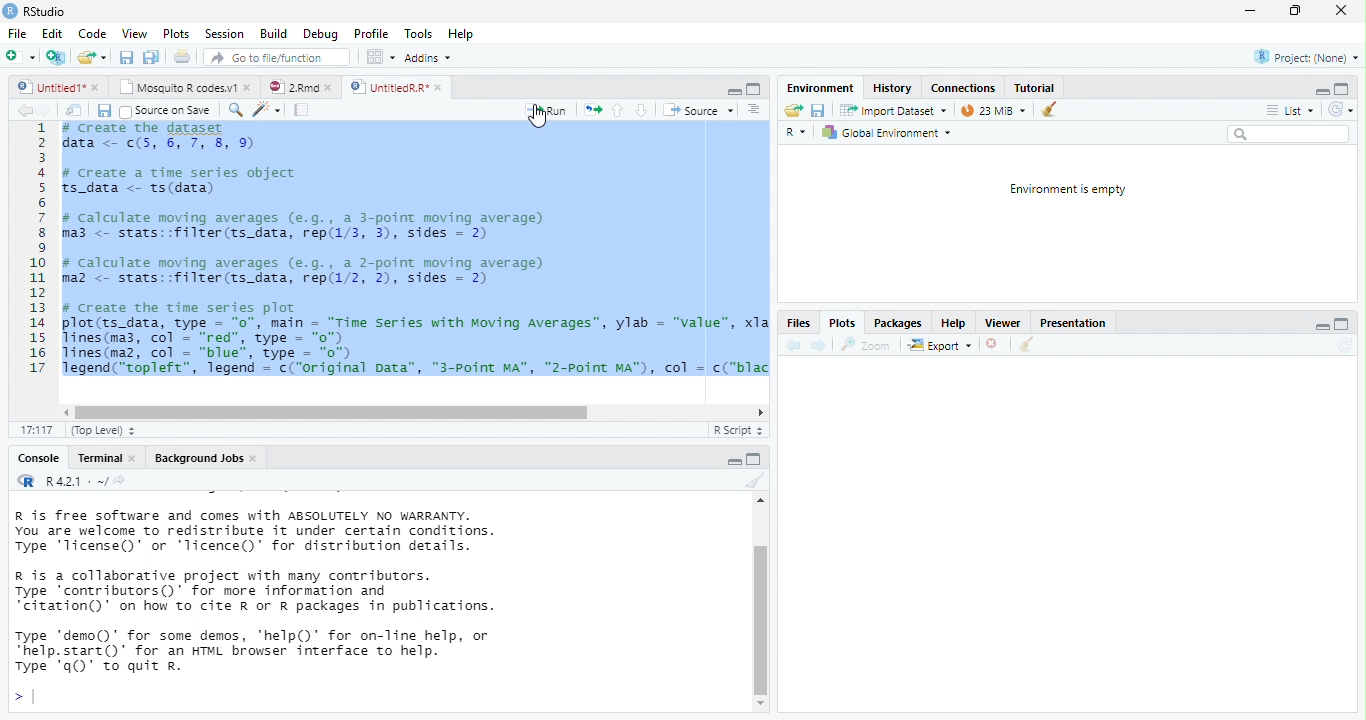 Image resolution: width=1366 pixels, height=720 pixels. Describe the element at coordinates (164, 111) in the screenshot. I see `Source on Save` at that location.